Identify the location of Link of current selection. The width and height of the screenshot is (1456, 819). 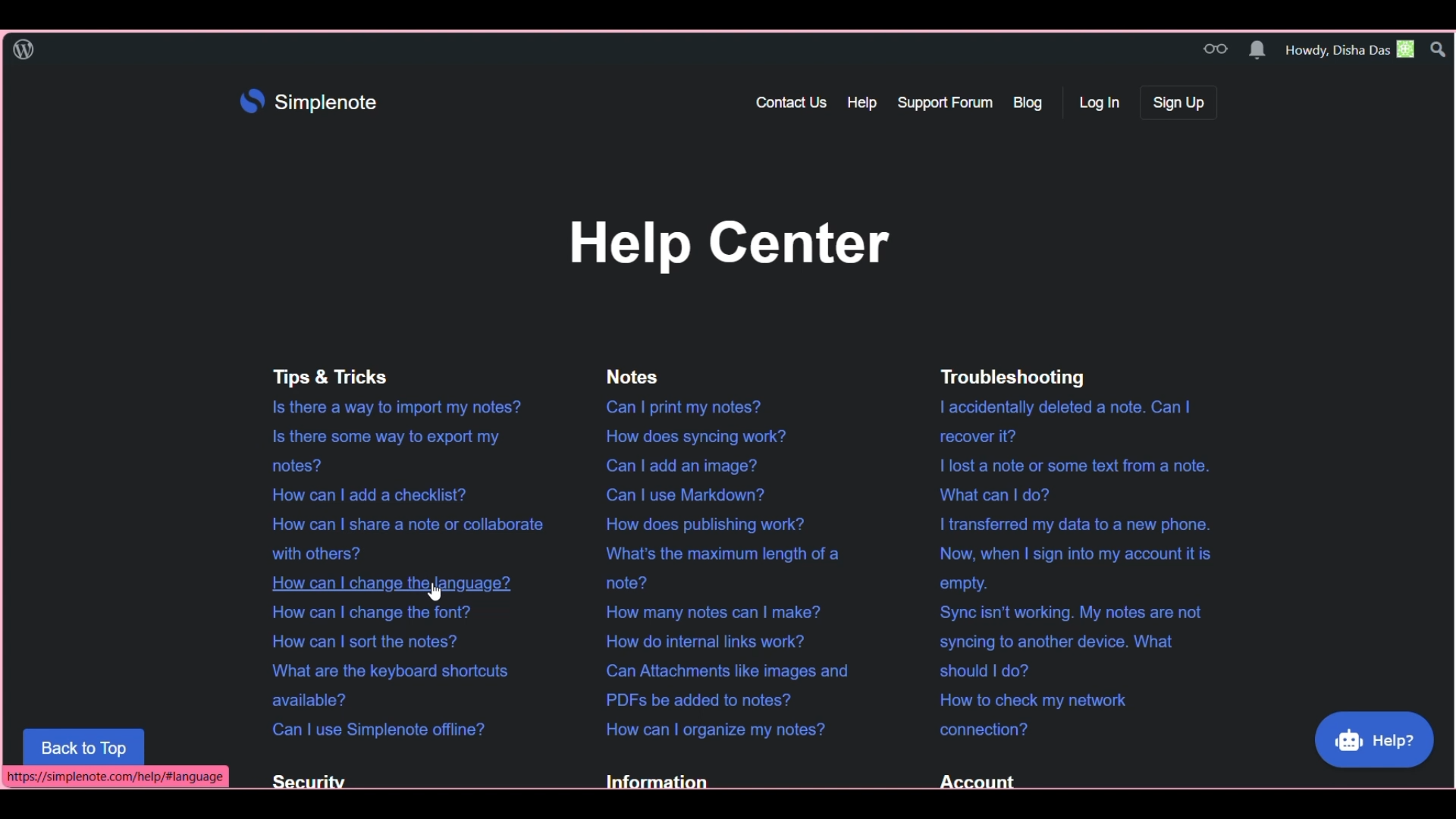
(115, 777).